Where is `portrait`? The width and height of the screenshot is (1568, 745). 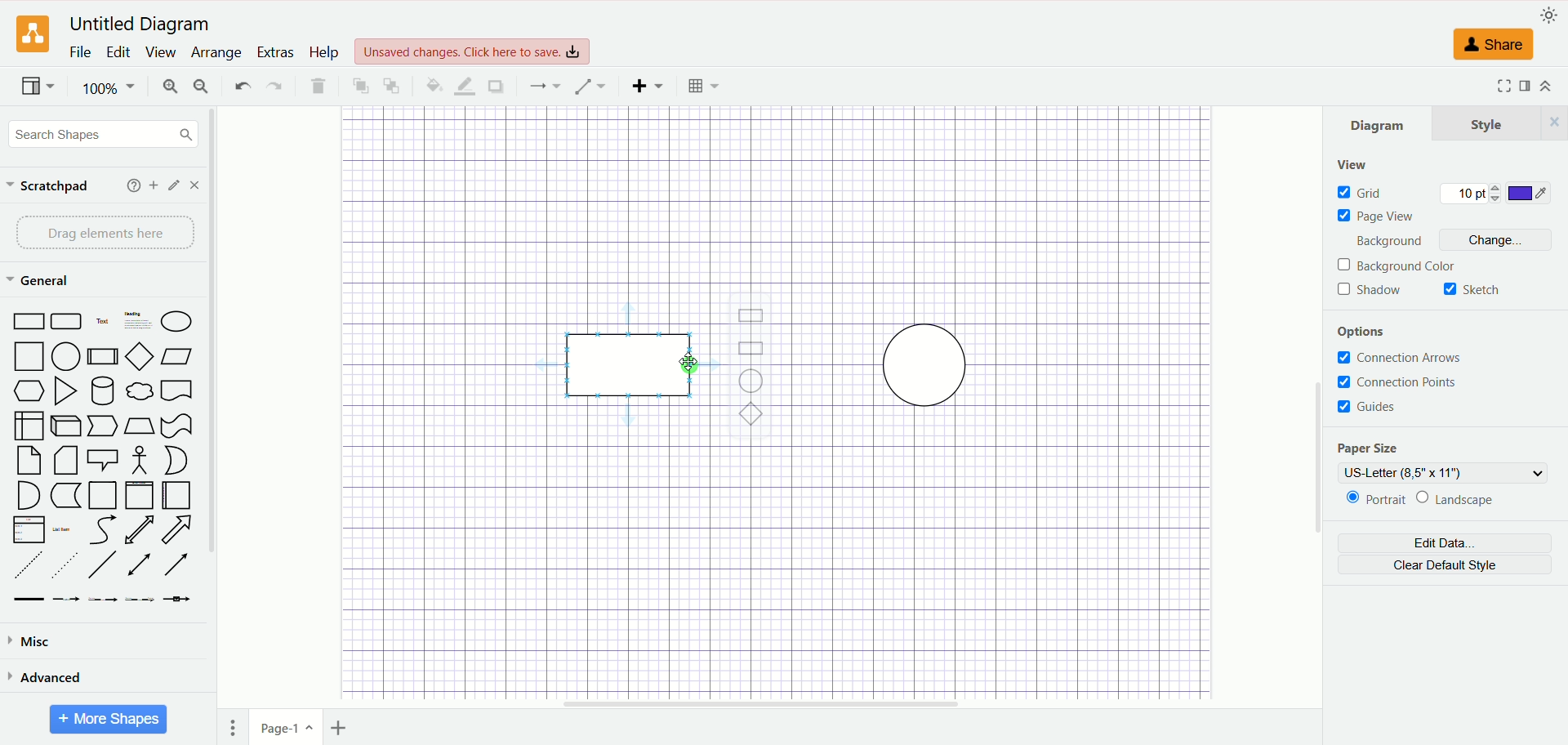
portrait is located at coordinates (1371, 500).